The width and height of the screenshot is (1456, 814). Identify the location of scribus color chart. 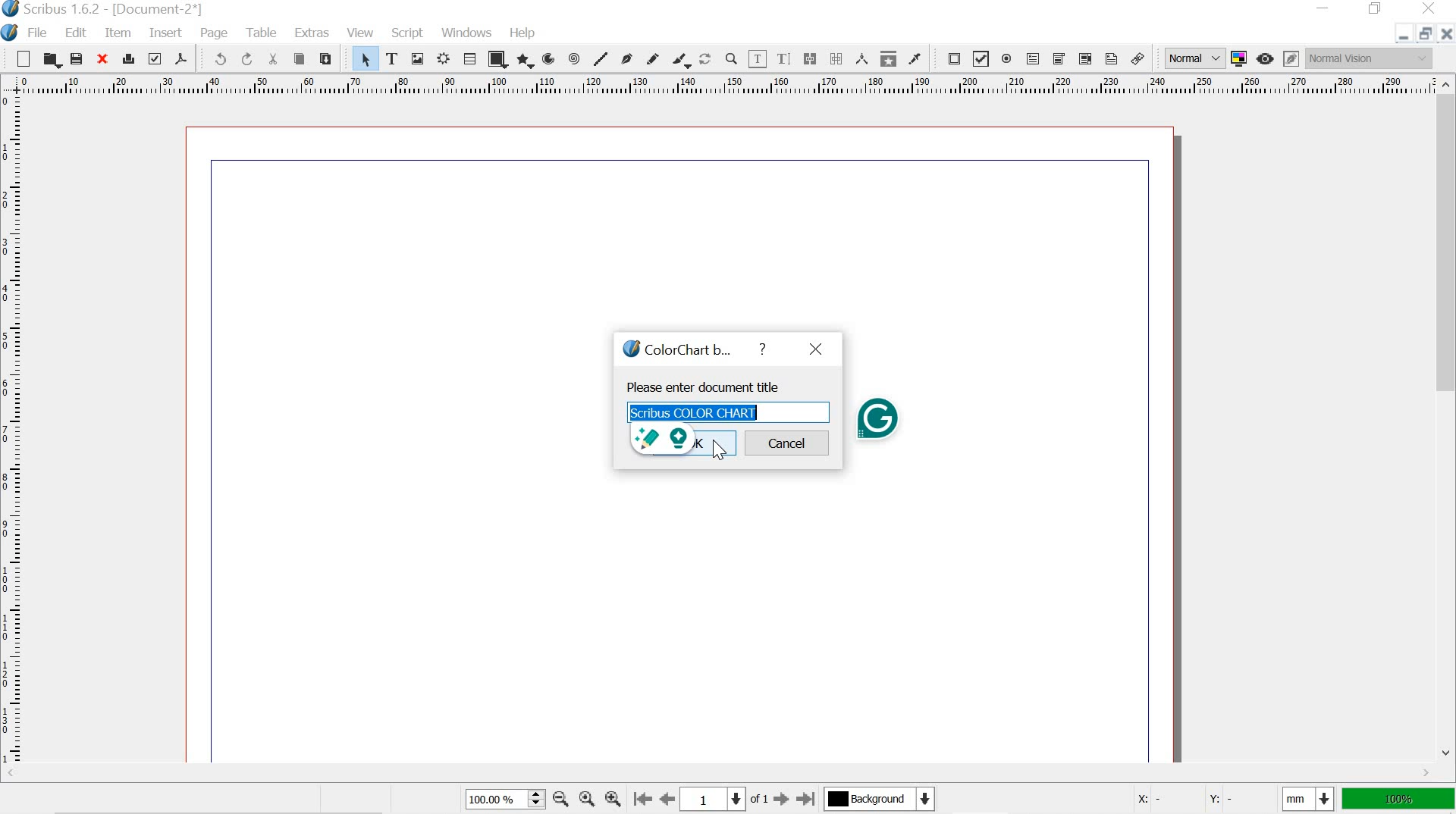
(728, 412).